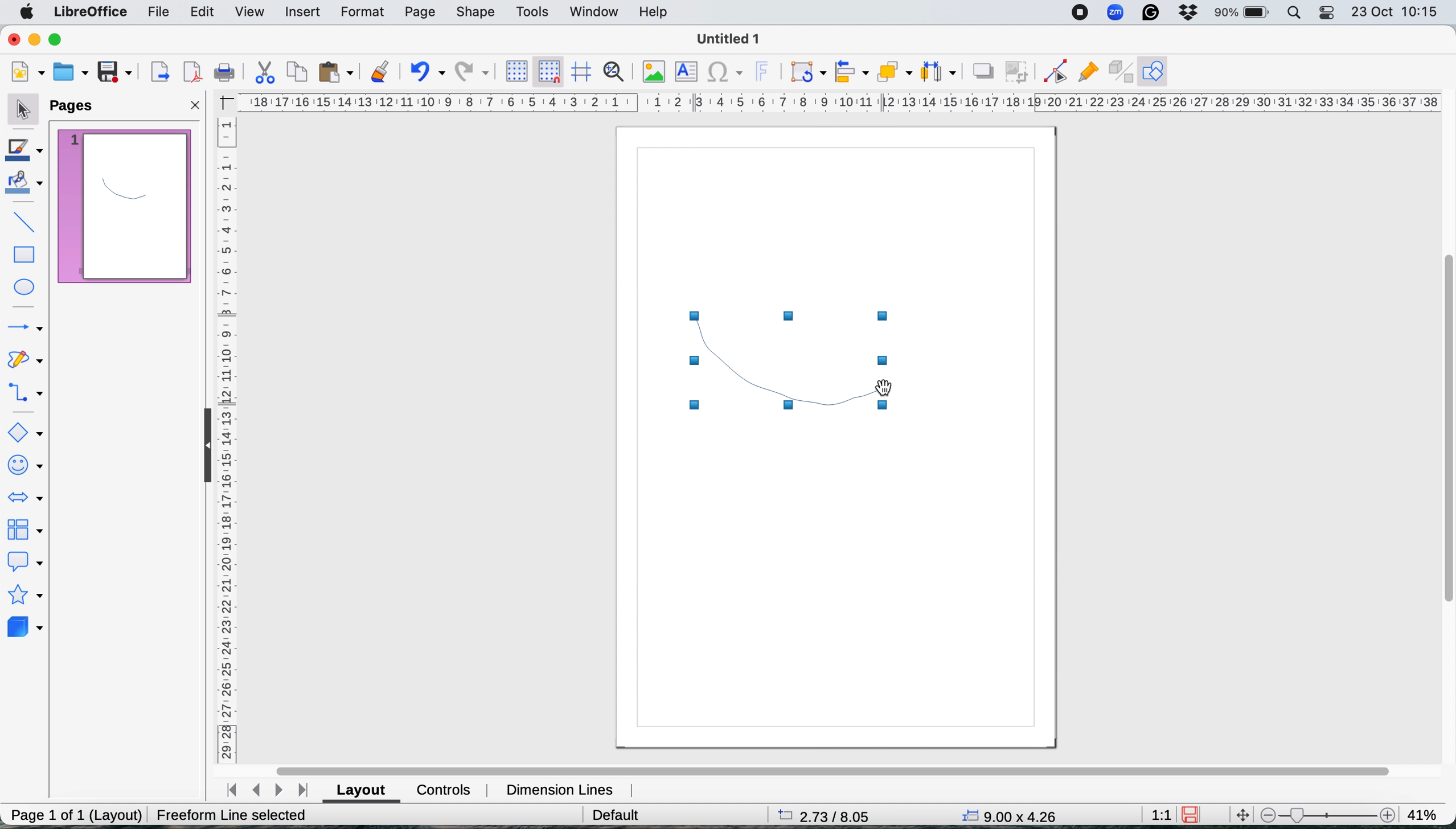 This screenshot has height=829, width=1456. Describe the element at coordinates (360, 791) in the screenshot. I see `layout` at that location.